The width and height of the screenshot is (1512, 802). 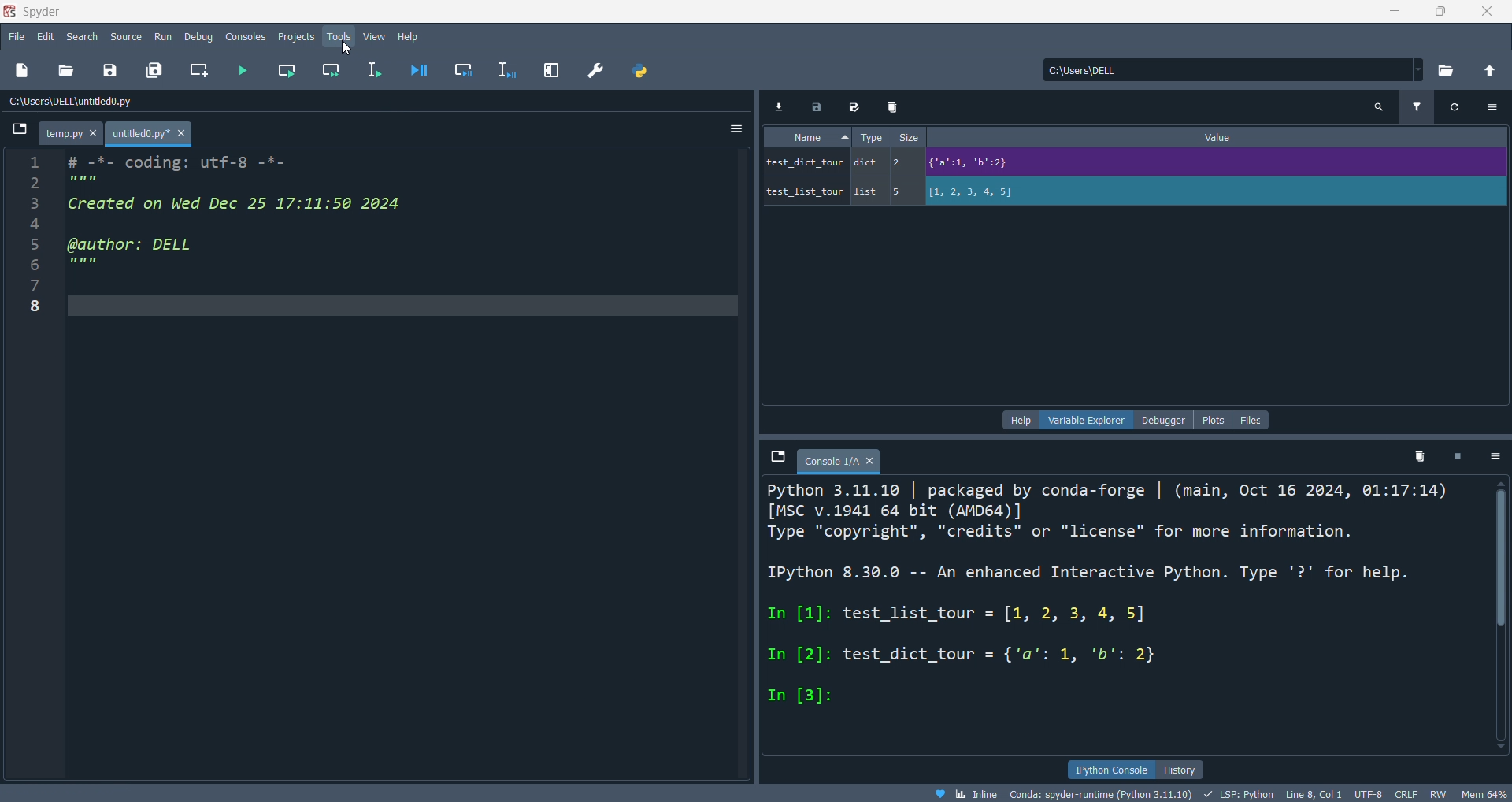 What do you see at coordinates (995, 162) in the screenshot?
I see `test_dict_tour dict 2 = {'a':1, 'b":2}` at bounding box center [995, 162].